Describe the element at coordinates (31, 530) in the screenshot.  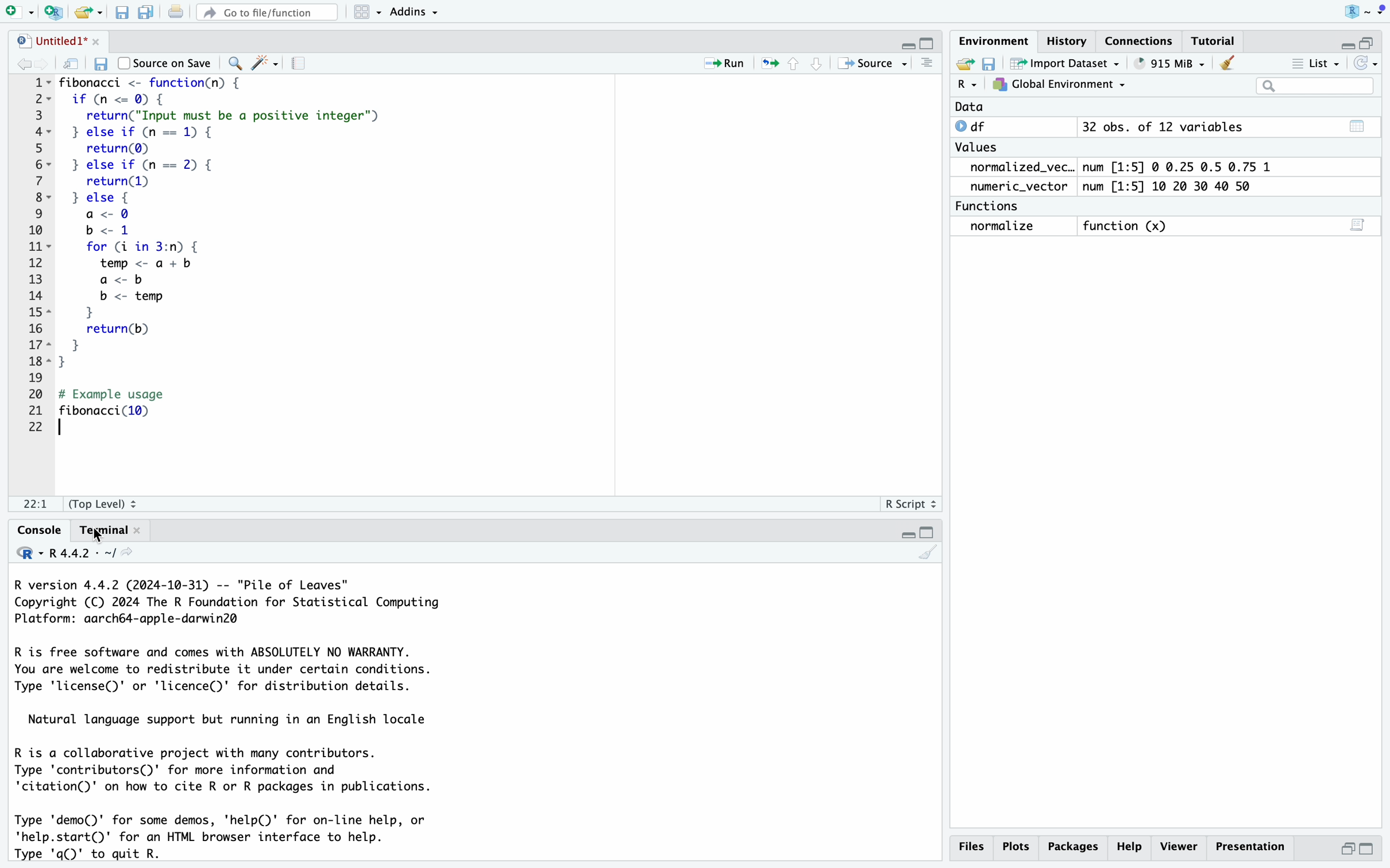
I see `console` at that location.